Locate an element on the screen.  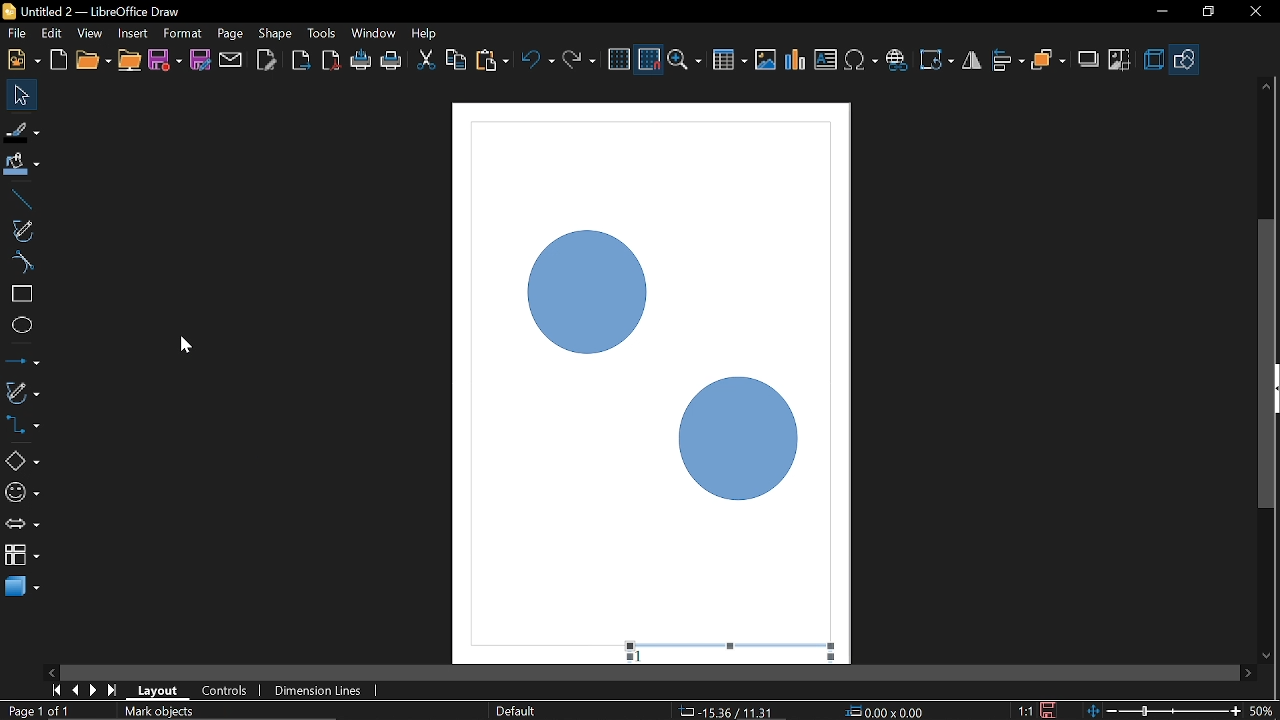
Save is located at coordinates (166, 62).